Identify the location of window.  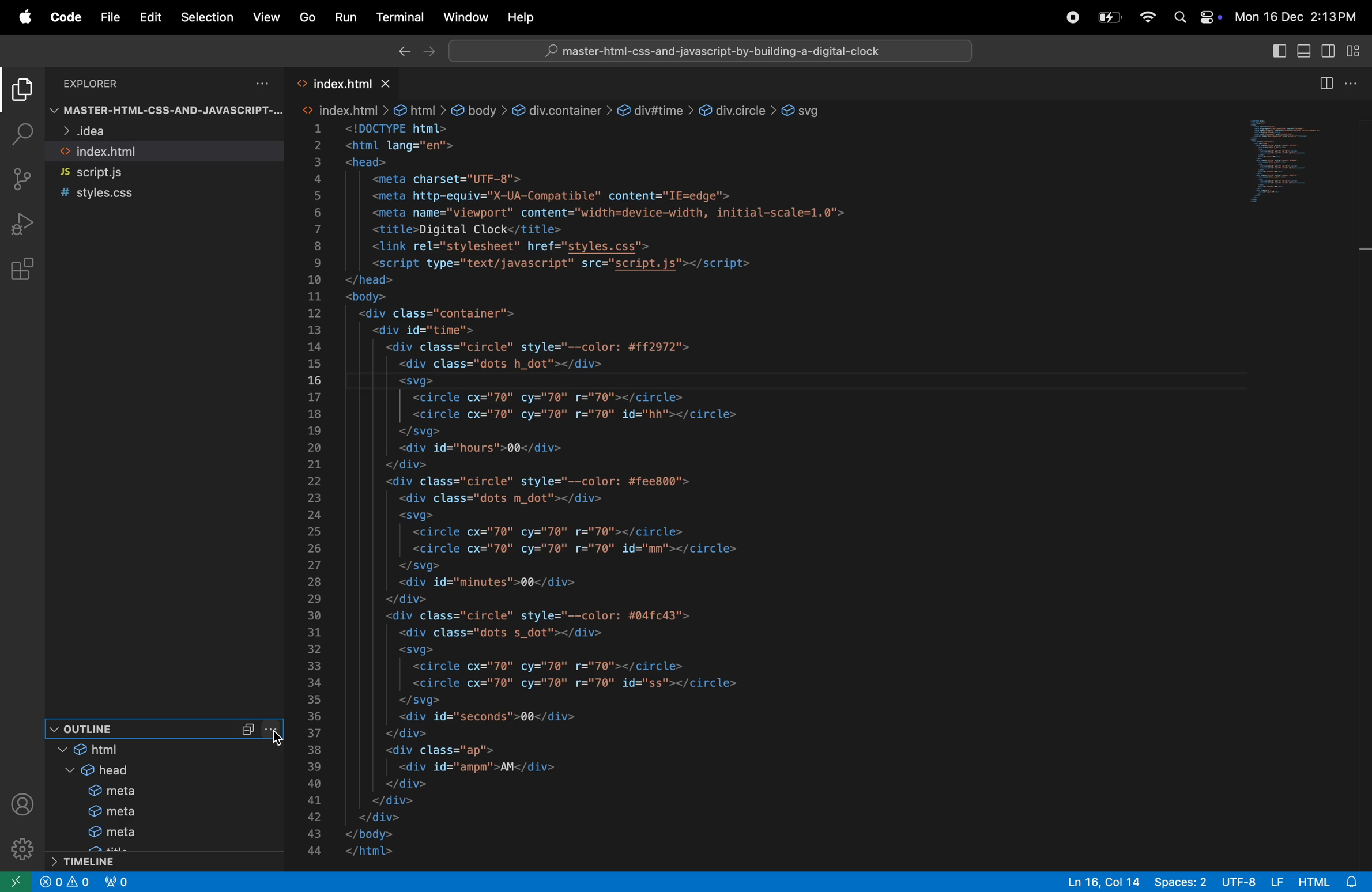
(464, 17).